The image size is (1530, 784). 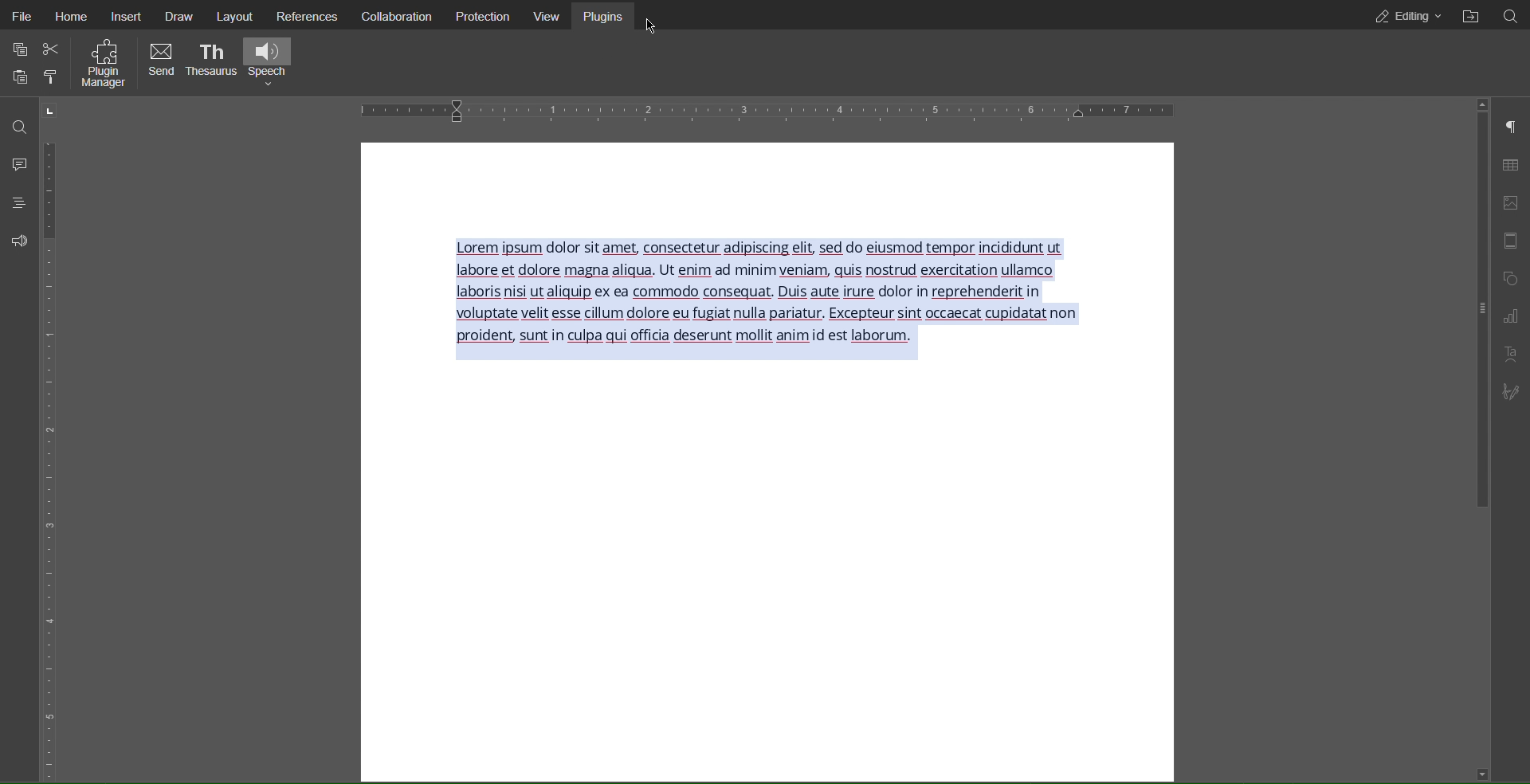 What do you see at coordinates (54, 50) in the screenshot?
I see `Cut` at bounding box center [54, 50].